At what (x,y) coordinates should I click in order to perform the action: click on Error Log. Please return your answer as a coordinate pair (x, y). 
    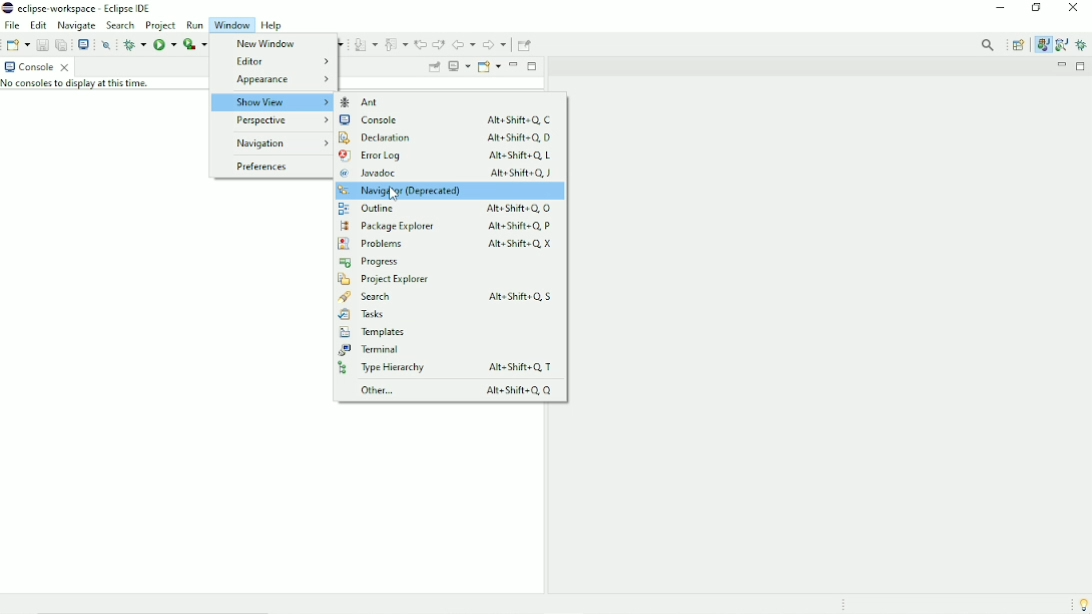
    Looking at the image, I should click on (445, 156).